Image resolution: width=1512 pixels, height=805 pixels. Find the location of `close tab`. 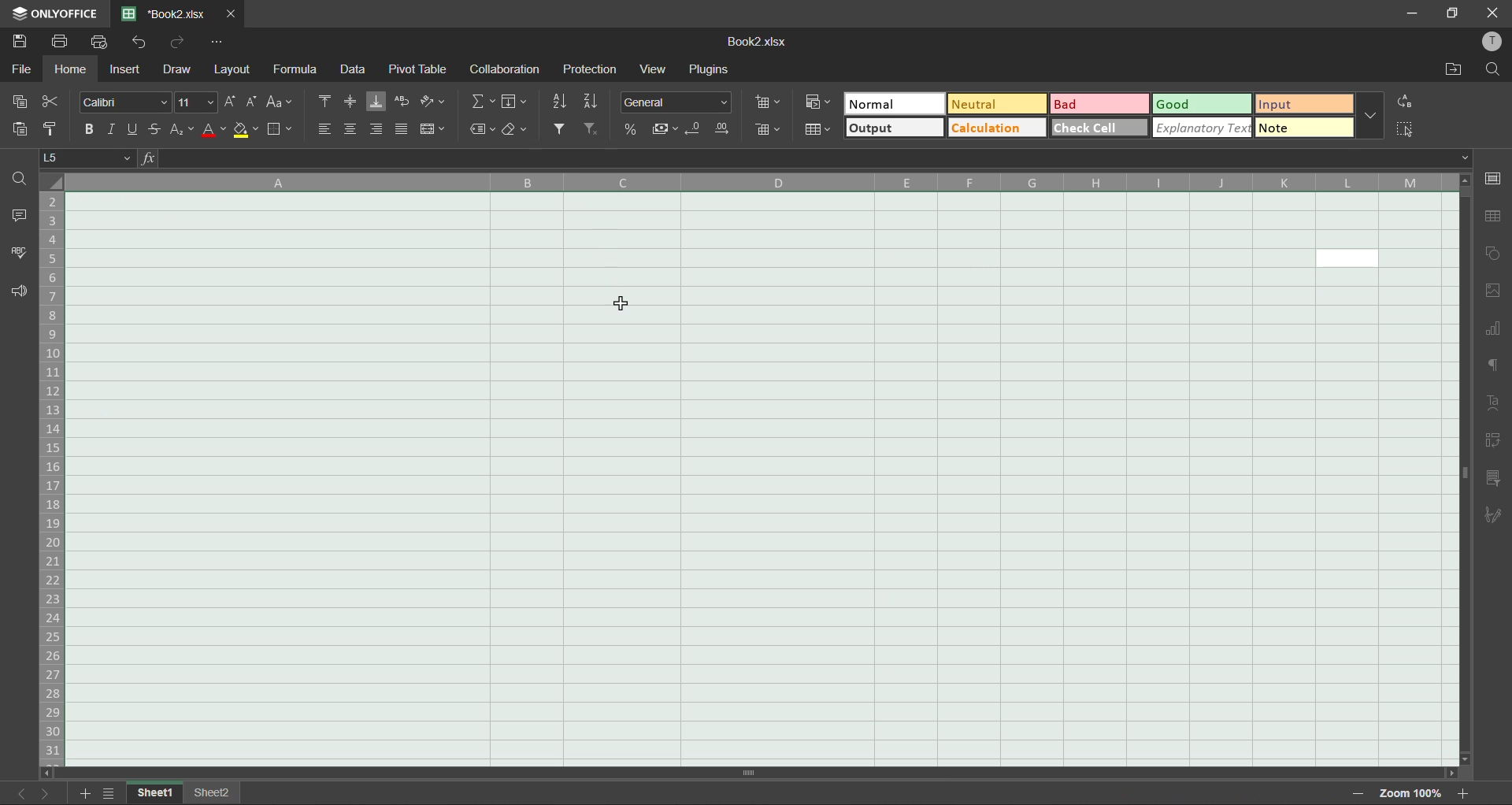

close tab is located at coordinates (233, 13).